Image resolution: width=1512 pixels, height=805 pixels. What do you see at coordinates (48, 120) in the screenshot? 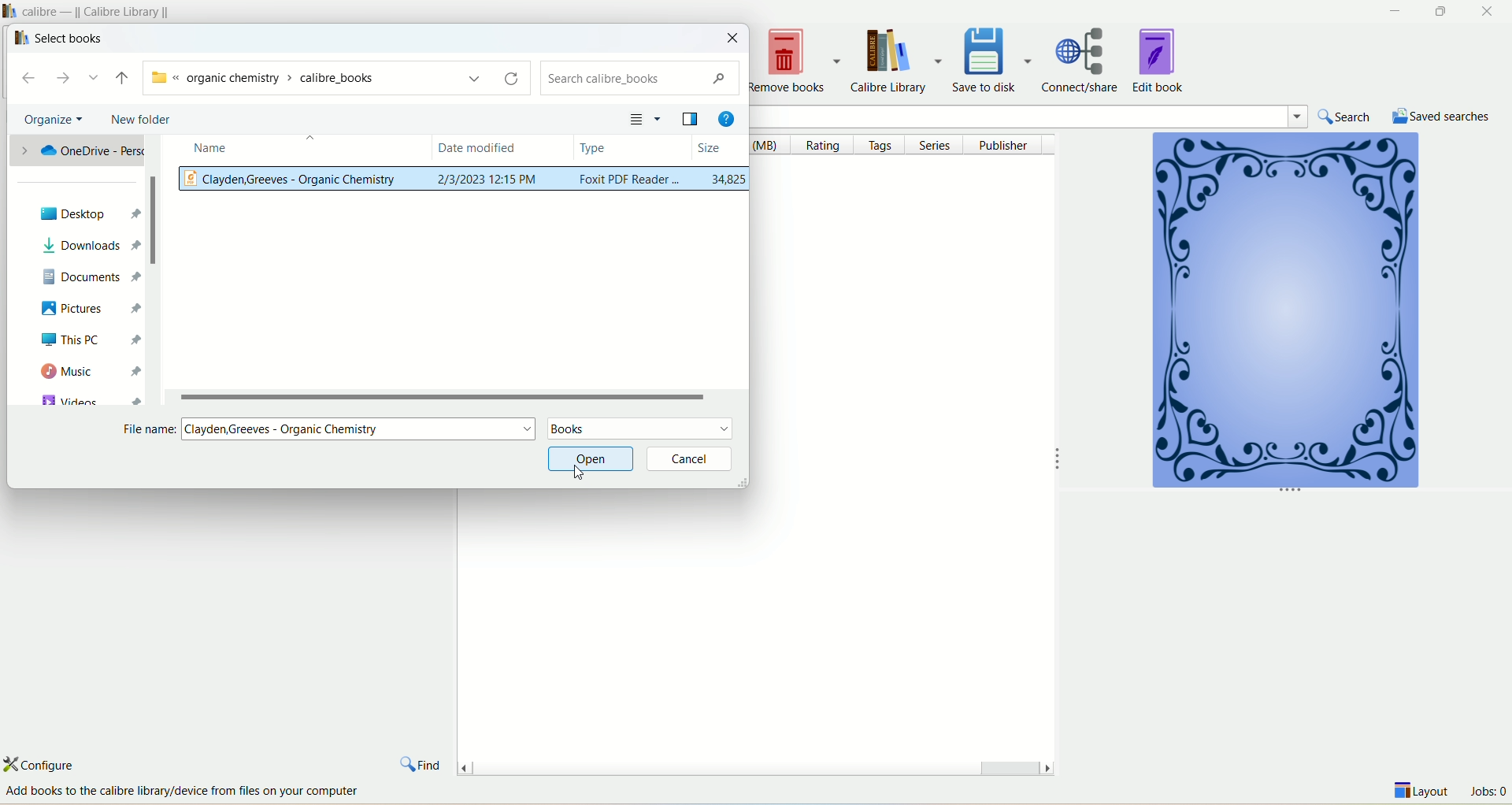
I see `organize` at bounding box center [48, 120].